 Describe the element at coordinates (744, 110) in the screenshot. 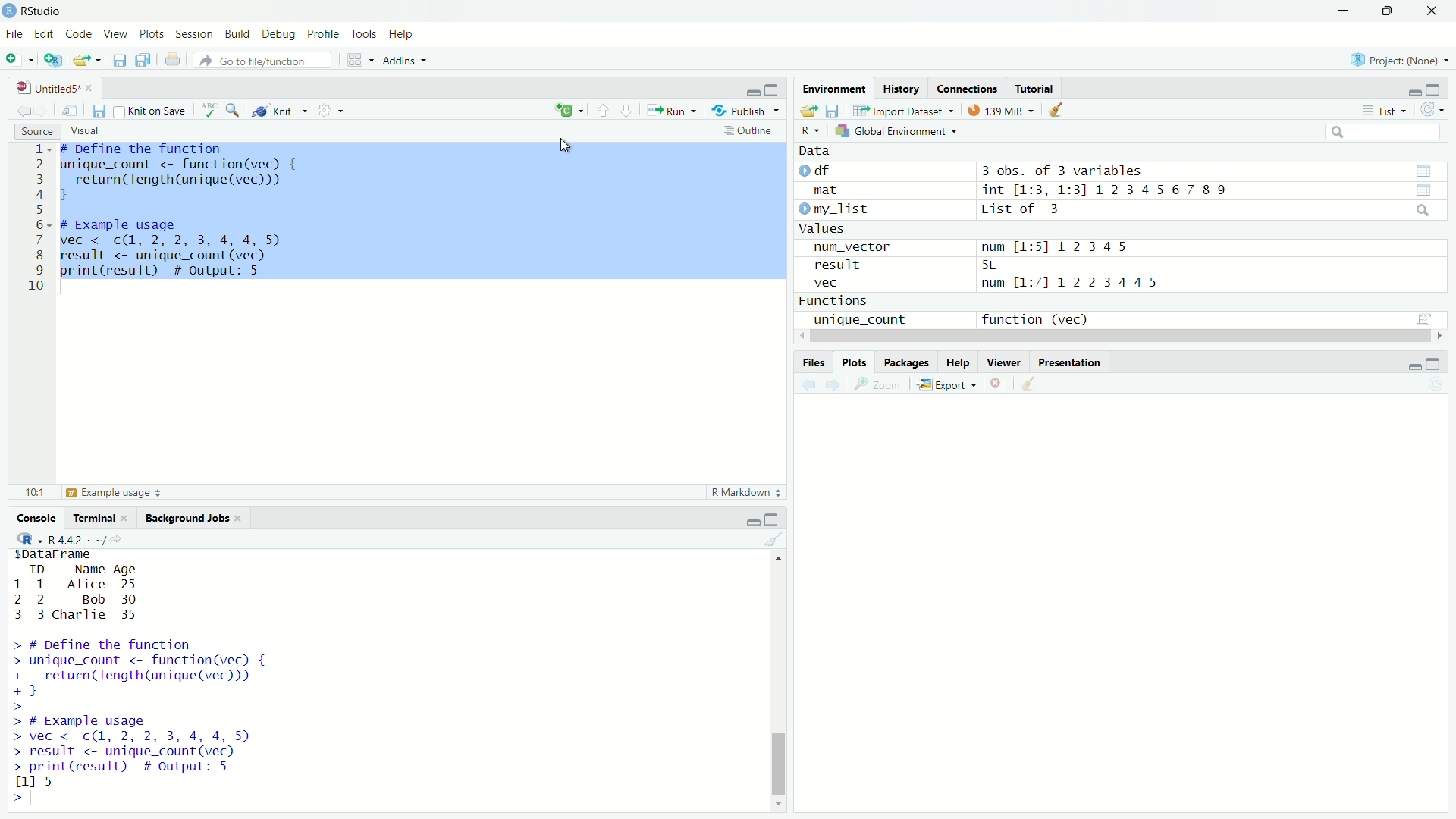

I see `Publish` at that location.